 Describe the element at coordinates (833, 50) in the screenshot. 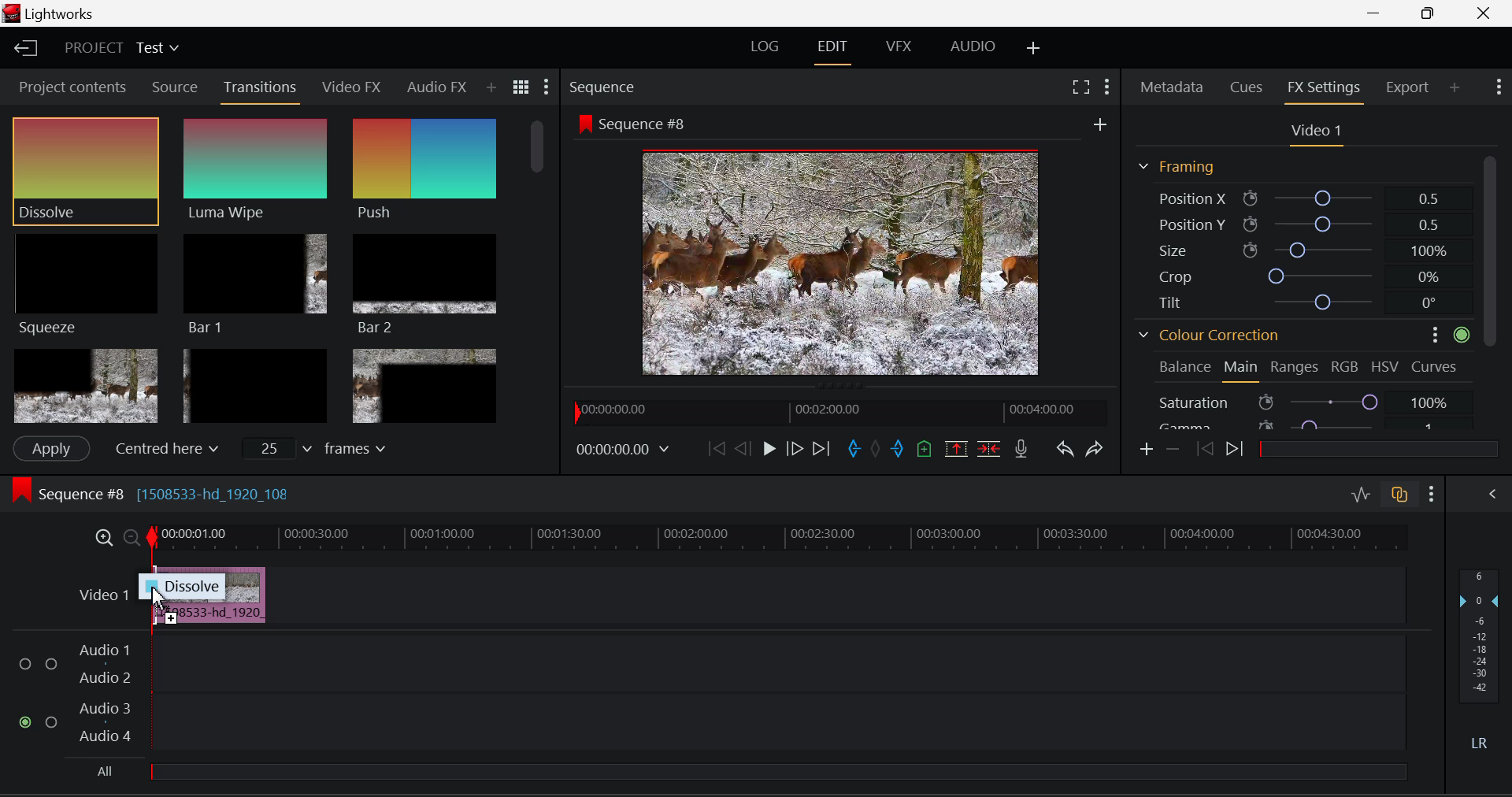

I see `EDIT Layout Open` at that location.